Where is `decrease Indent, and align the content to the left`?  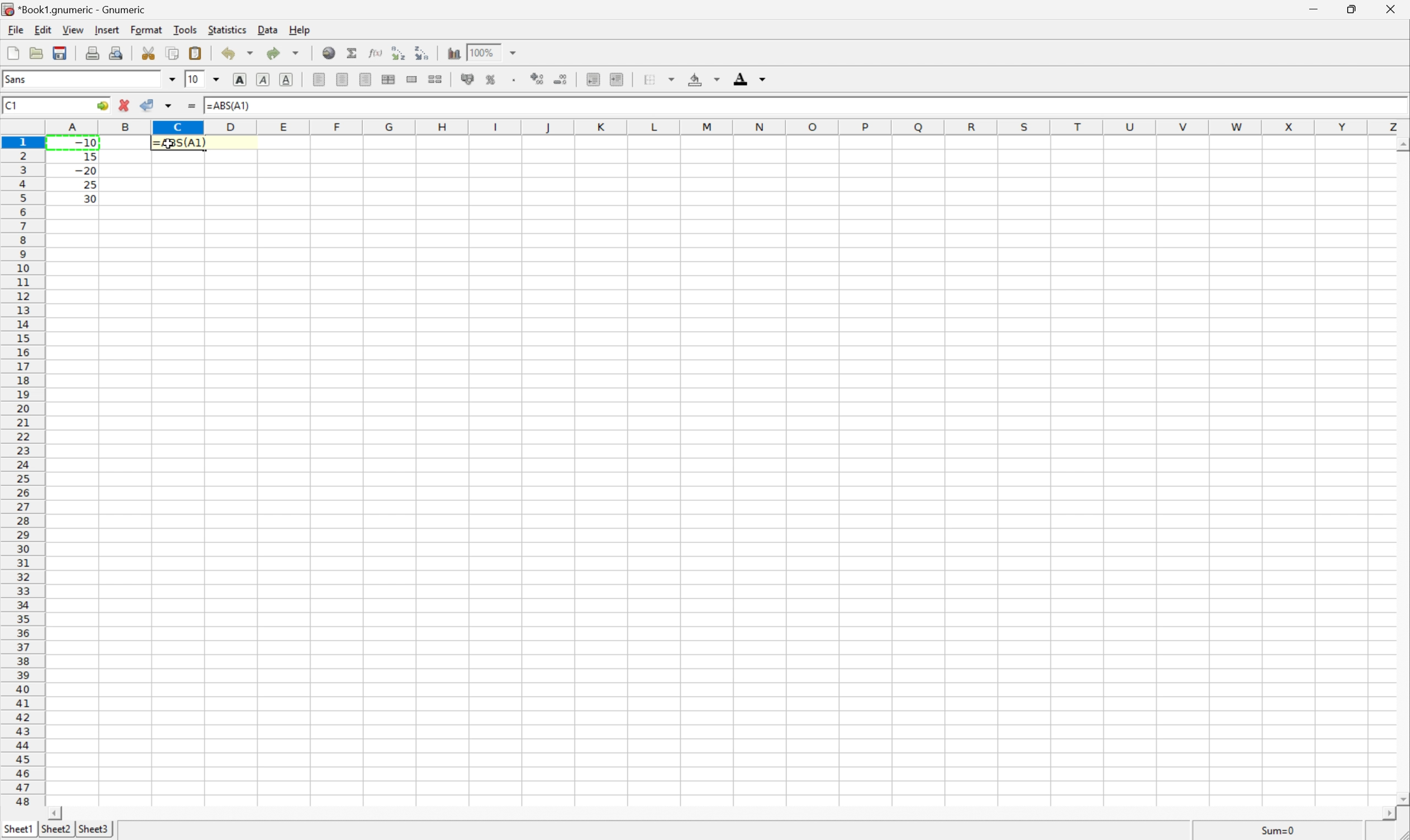 decrease Indent, and align the content to the left is located at coordinates (592, 79).